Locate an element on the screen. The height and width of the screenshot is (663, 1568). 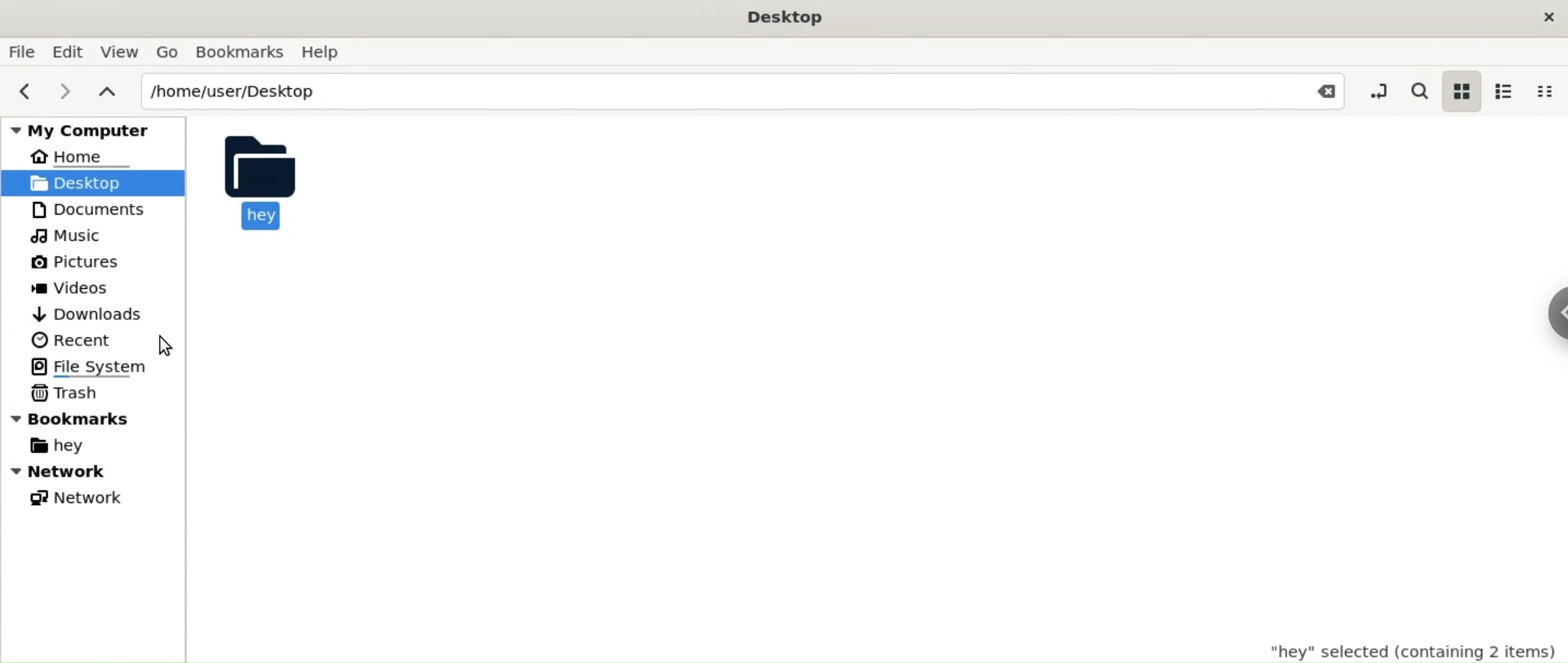
Recent is located at coordinates (71, 340).